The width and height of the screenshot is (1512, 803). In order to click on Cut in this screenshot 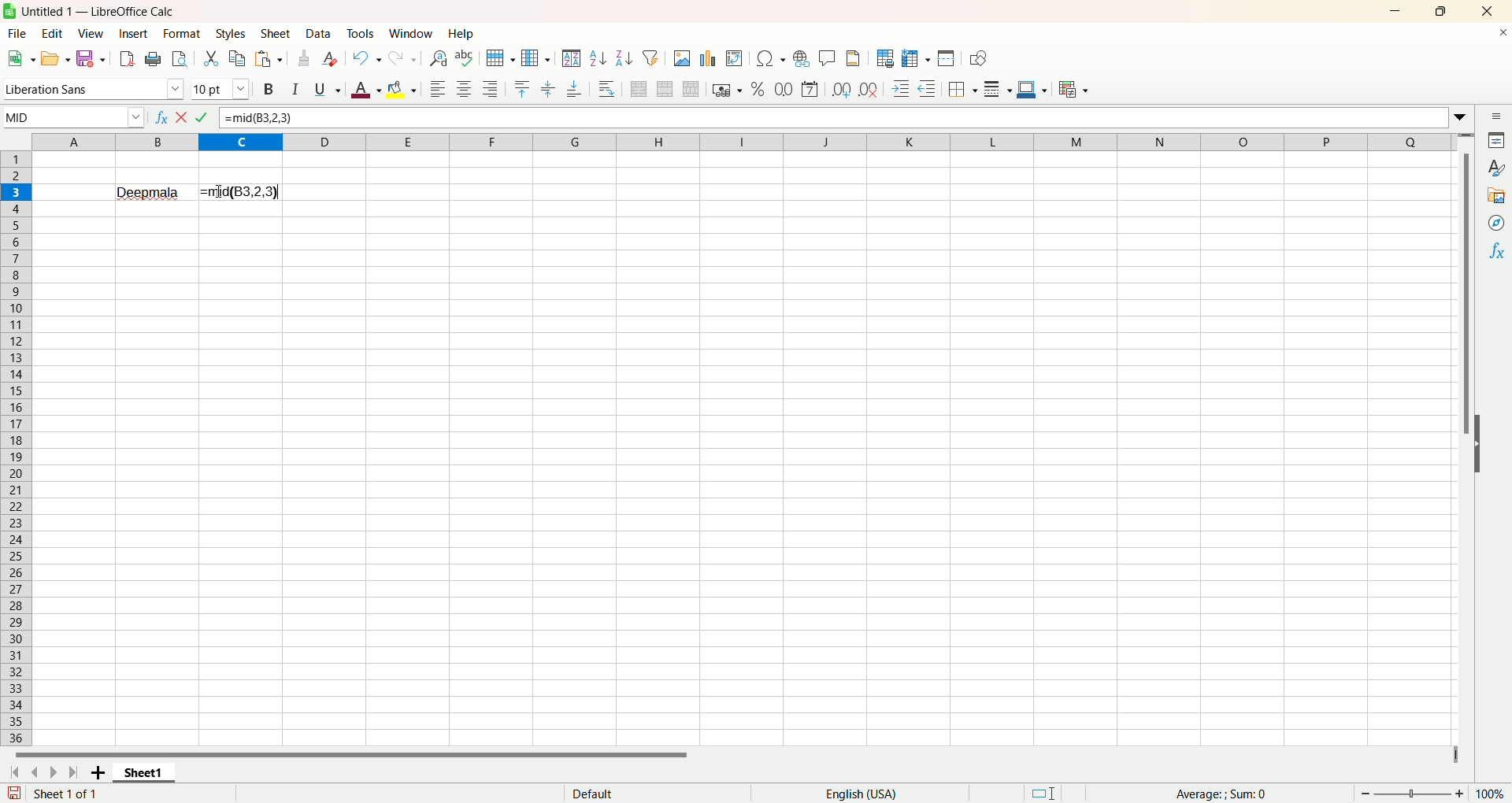, I will do `click(212, 59)`.